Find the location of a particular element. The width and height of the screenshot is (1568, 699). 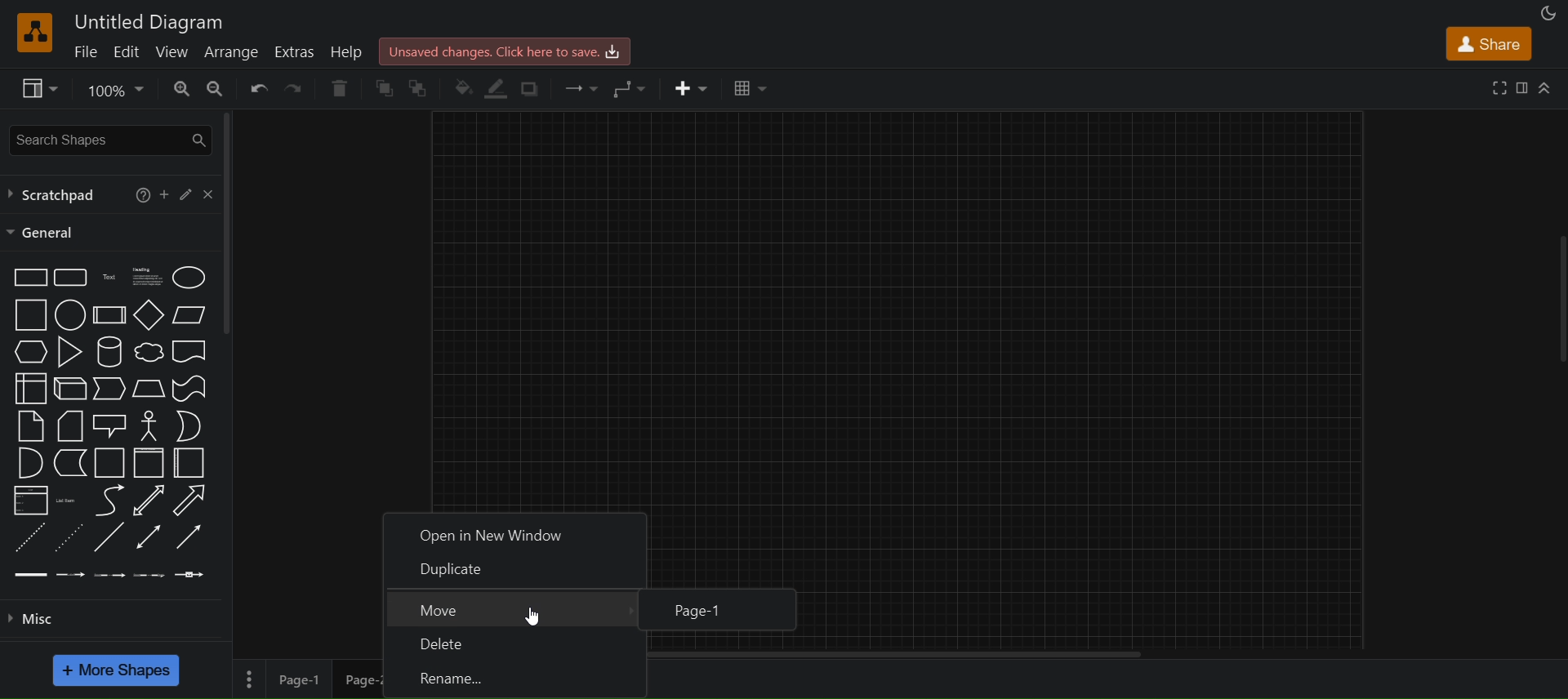

vertical container is located at coordinates (149, 462).